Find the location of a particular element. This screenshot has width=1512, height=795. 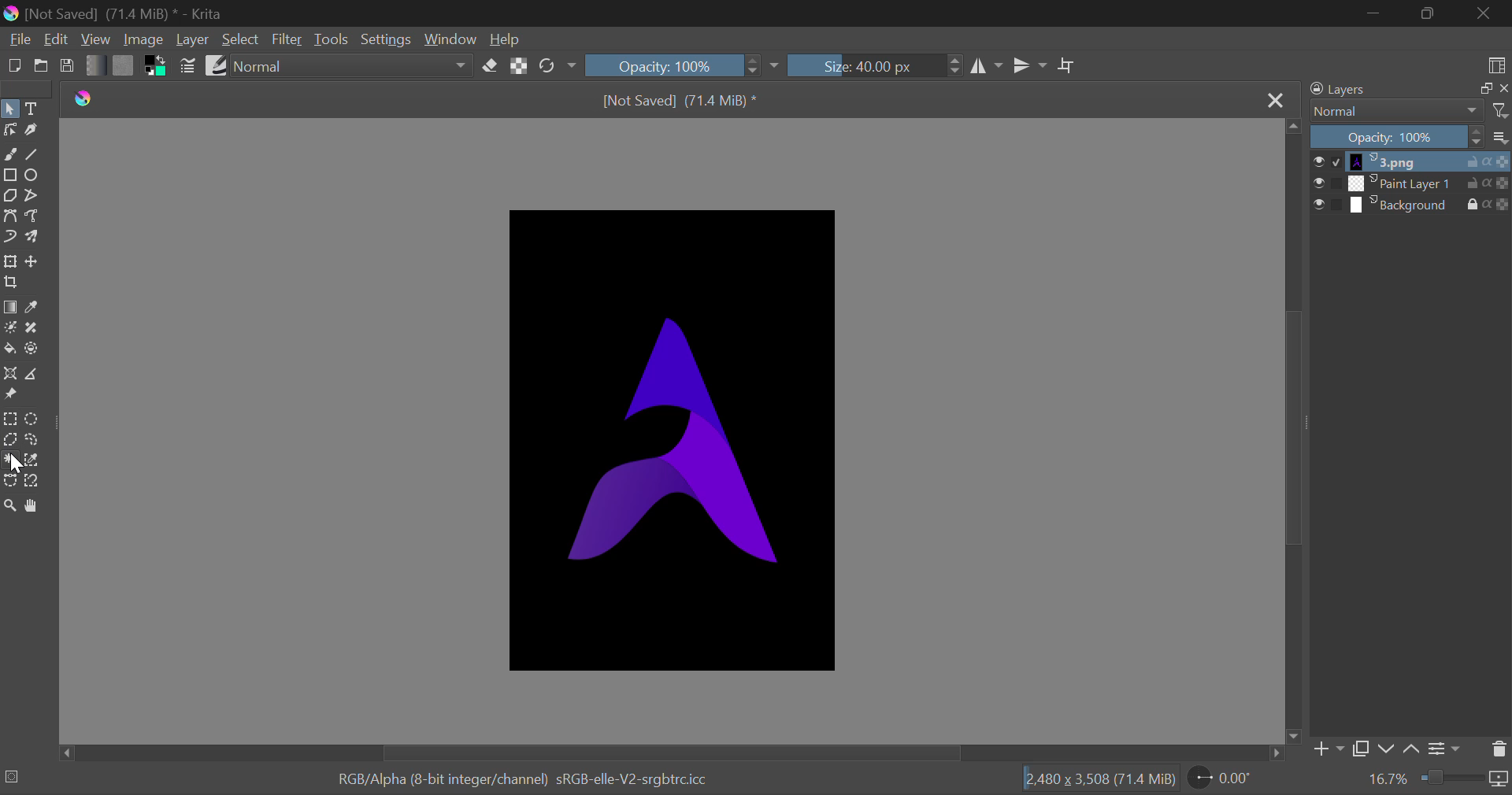

Dynamic Brush Tool is located at coordinates (11, 238).